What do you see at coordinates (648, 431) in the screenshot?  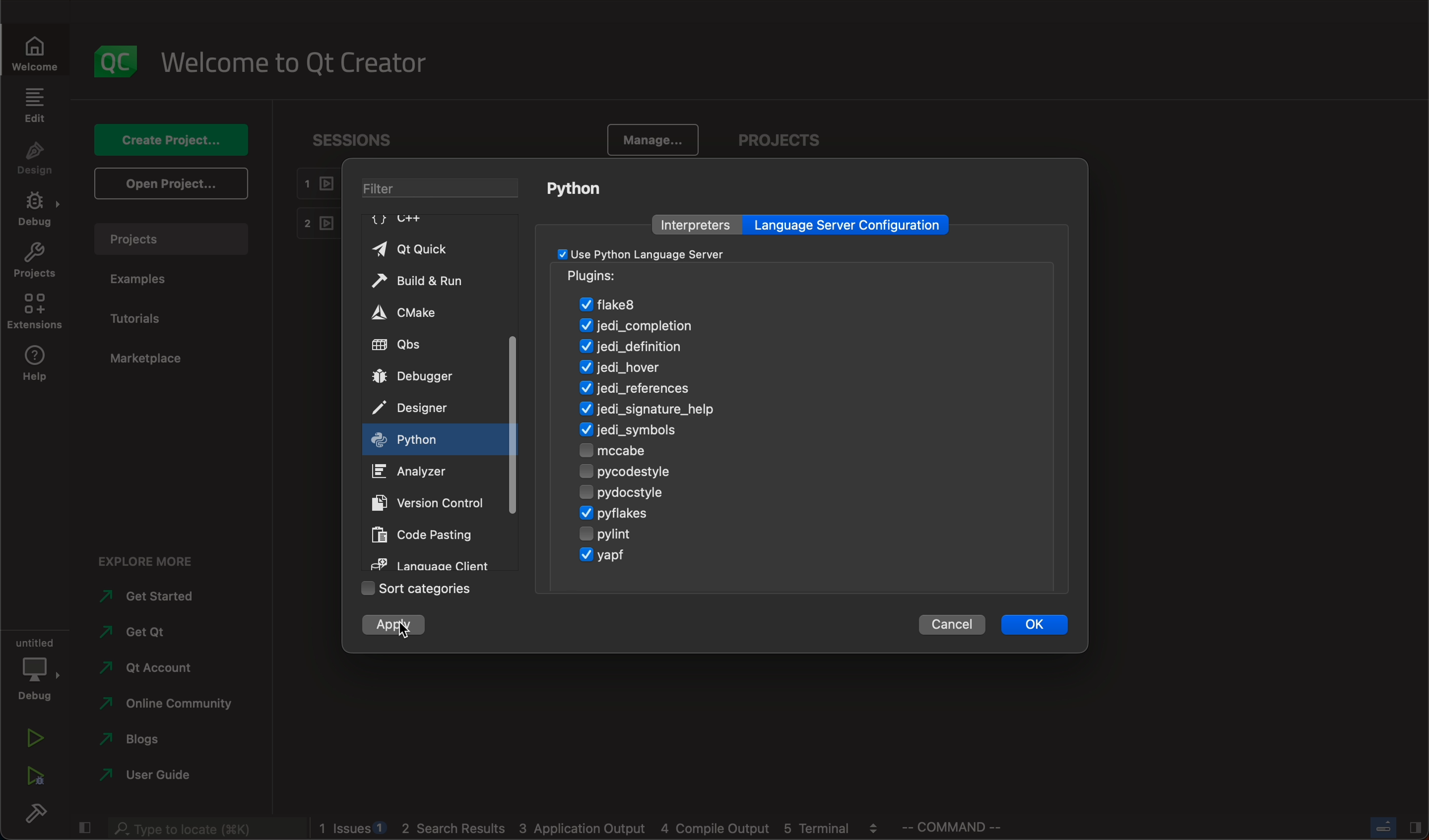 I see `symbols` at bounding box center [648, 431].